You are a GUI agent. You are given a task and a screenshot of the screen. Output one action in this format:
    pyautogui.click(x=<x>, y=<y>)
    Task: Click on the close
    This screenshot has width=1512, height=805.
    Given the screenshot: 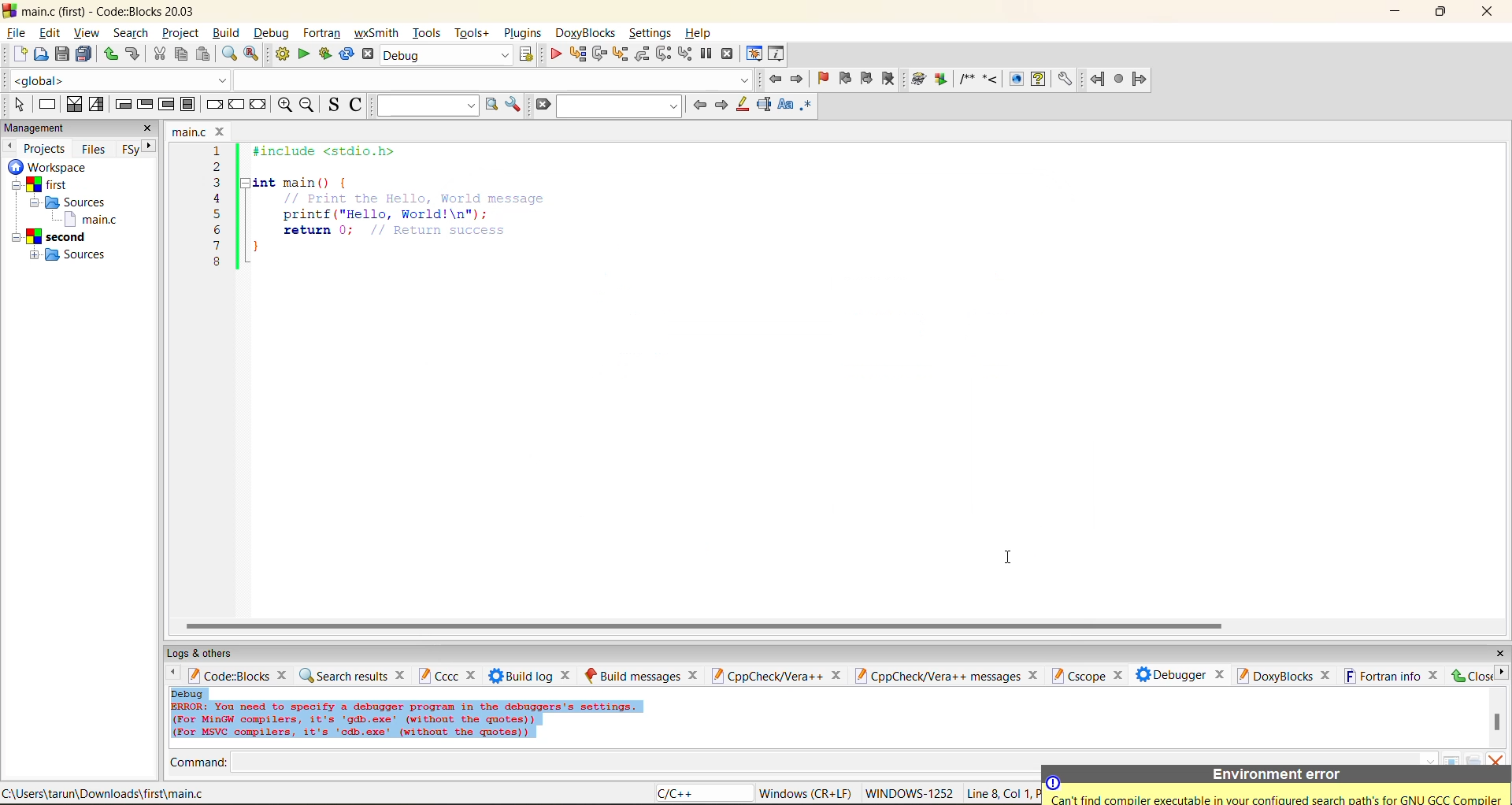 What is the action you would take?
    pyautogui.click(x=222, y=132)
    